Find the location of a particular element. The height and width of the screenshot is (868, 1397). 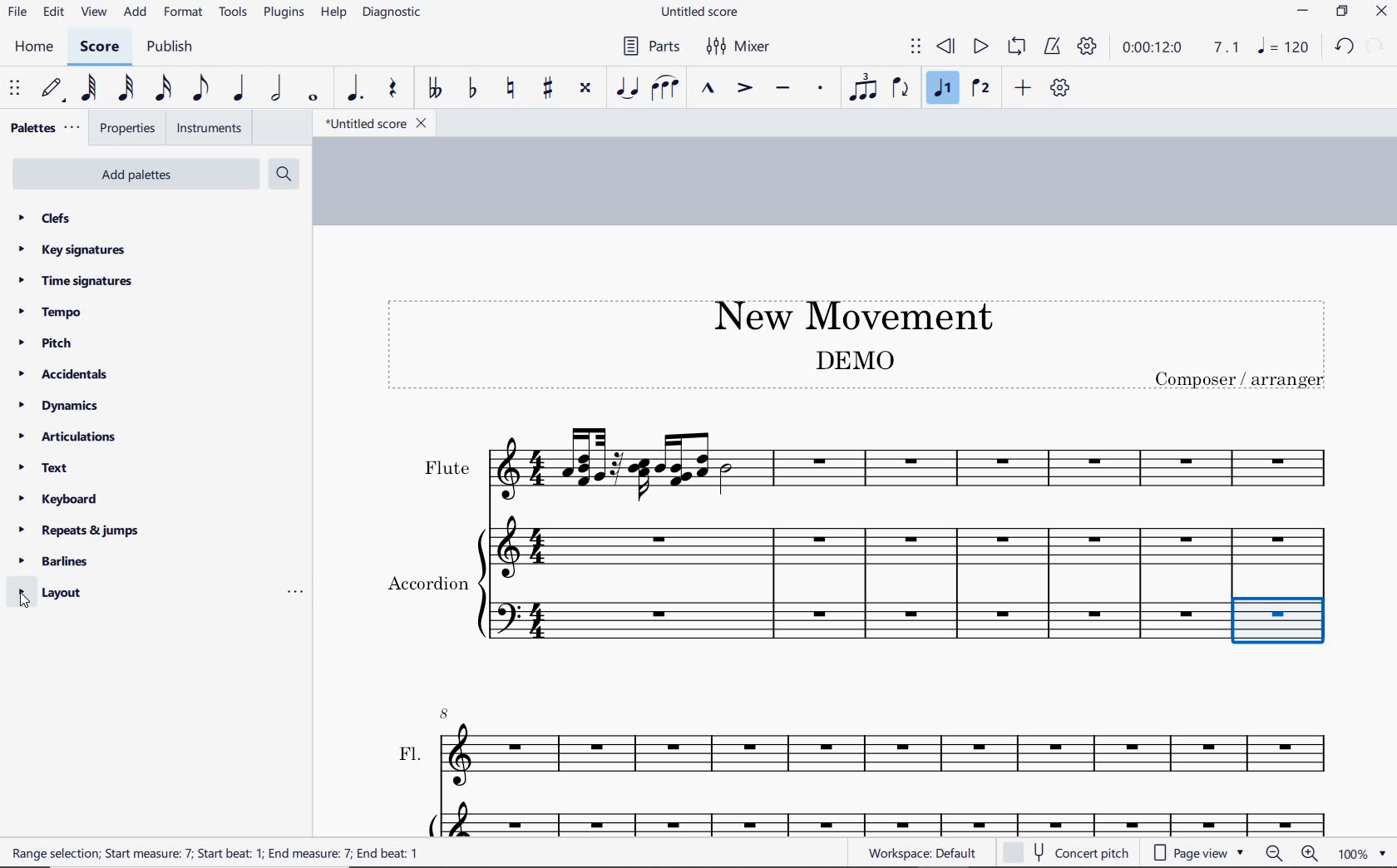

articulations is located at coordinates (69, 439).